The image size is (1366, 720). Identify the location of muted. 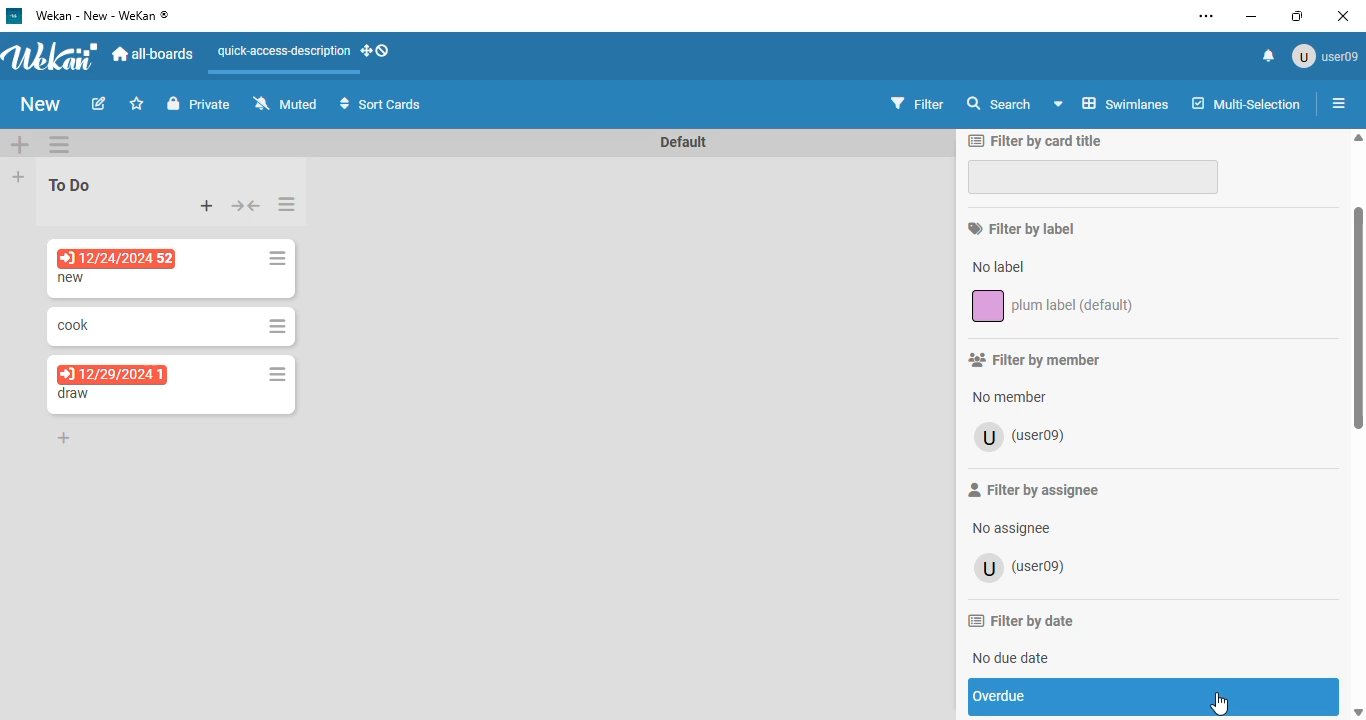
(285, 103).